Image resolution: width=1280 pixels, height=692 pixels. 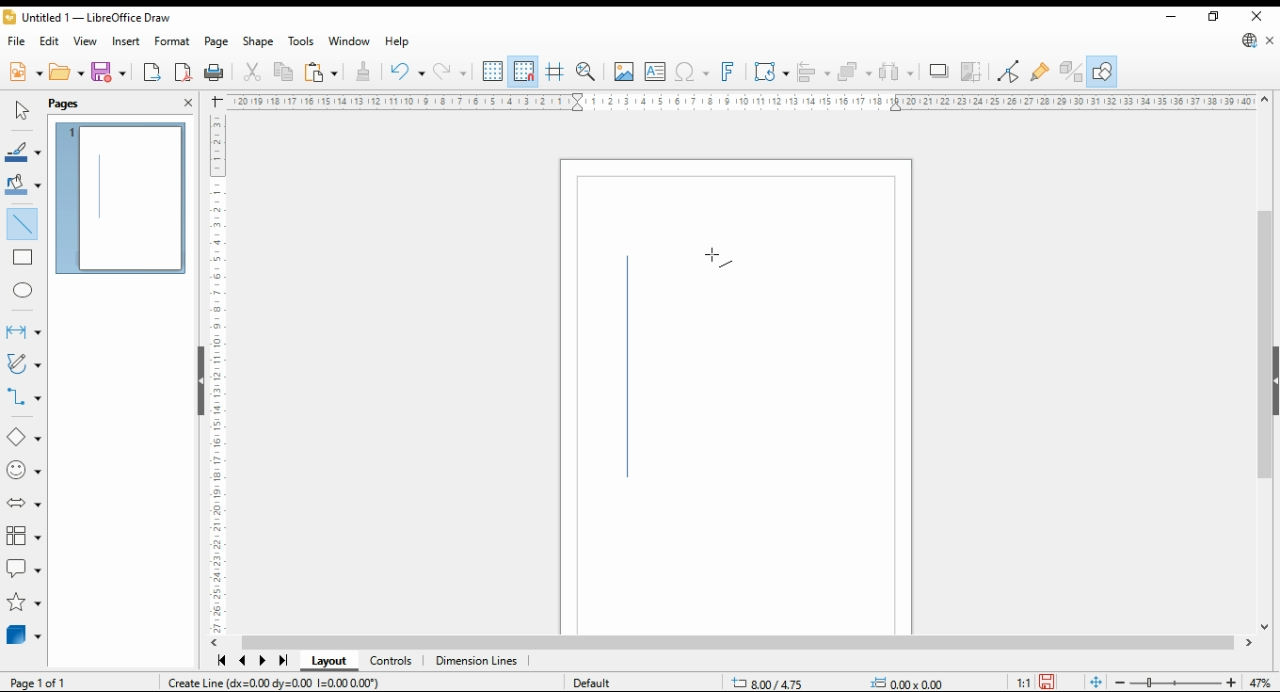 I want to click on help, so click(x=398, y=42).